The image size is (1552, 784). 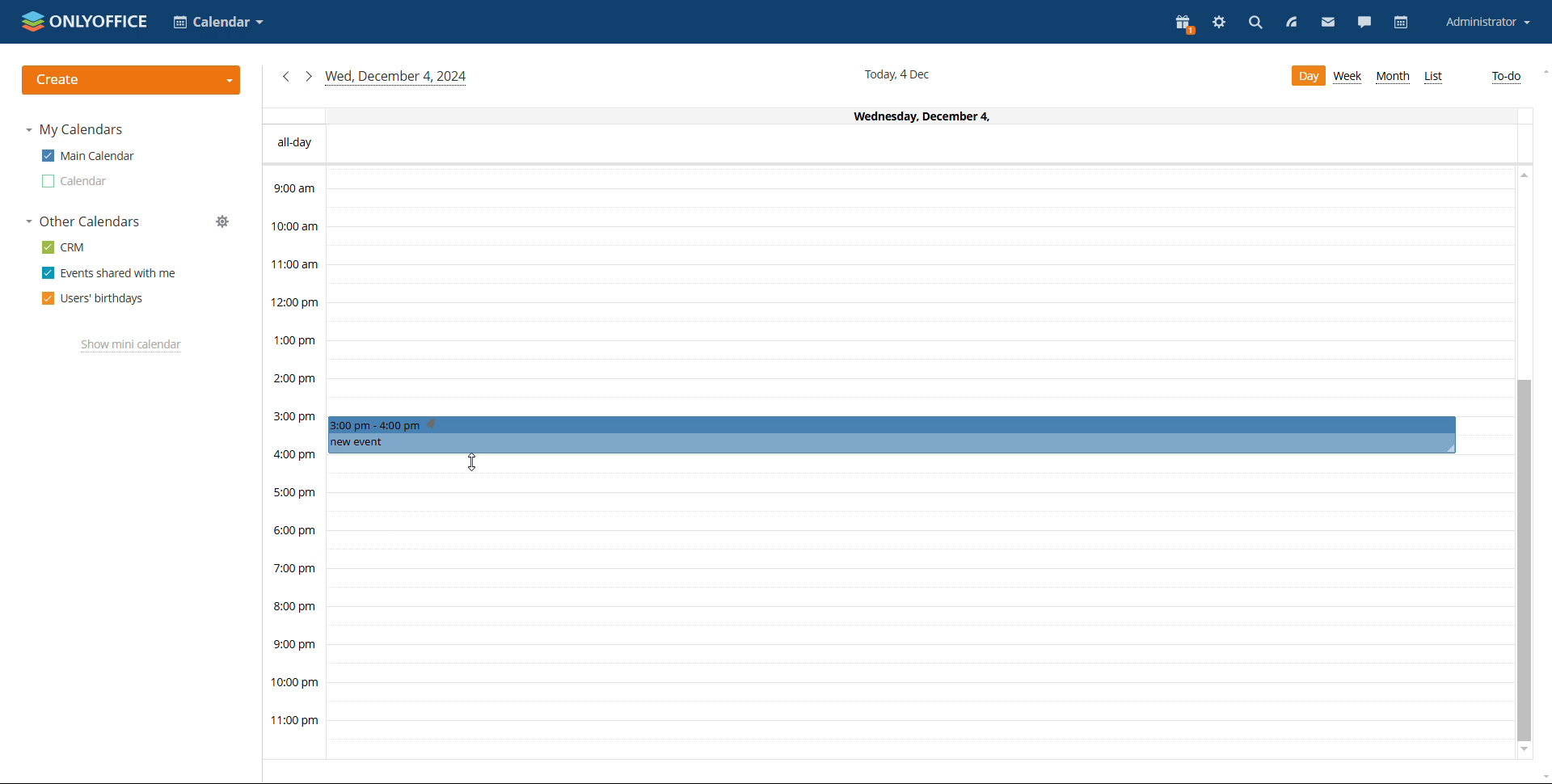 What do you see at coordinates (131, 346) in the screenshot?
I see `show mini calendar` at bounding box center [131, 346].